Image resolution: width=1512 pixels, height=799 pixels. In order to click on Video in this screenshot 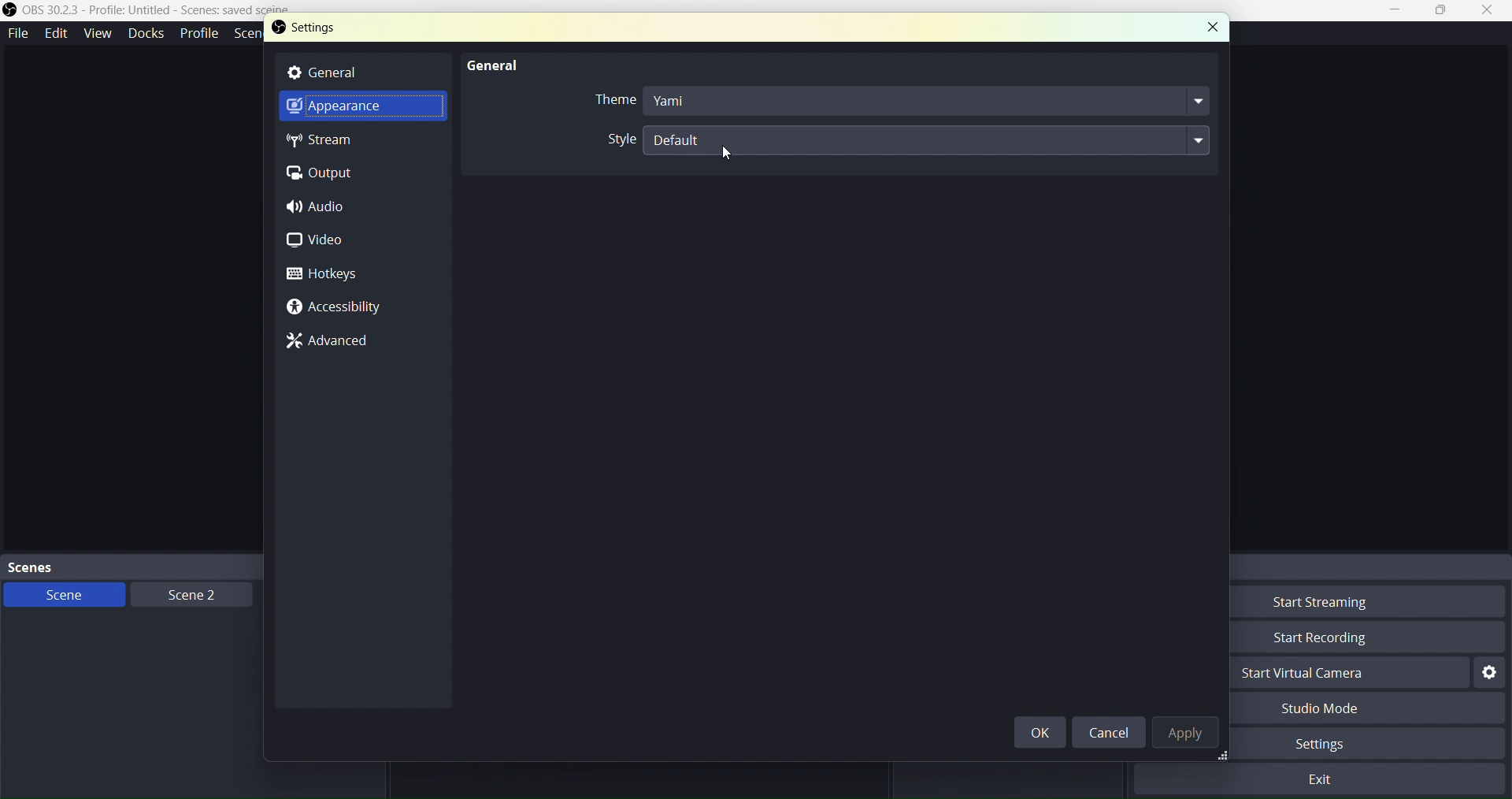, I will do `click(328, 242)`.